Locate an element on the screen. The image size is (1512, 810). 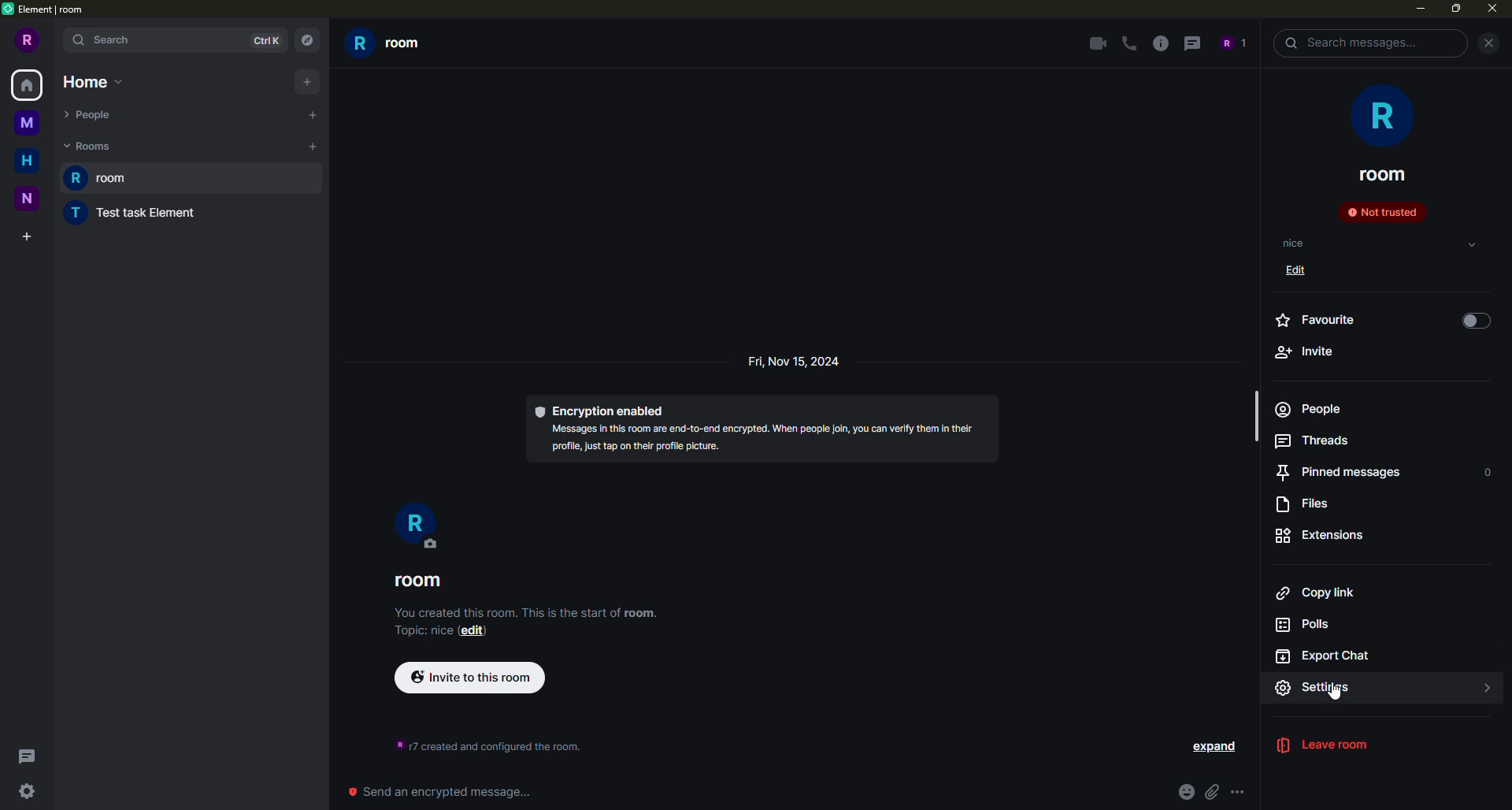
people is located at coordinates (93, 112).